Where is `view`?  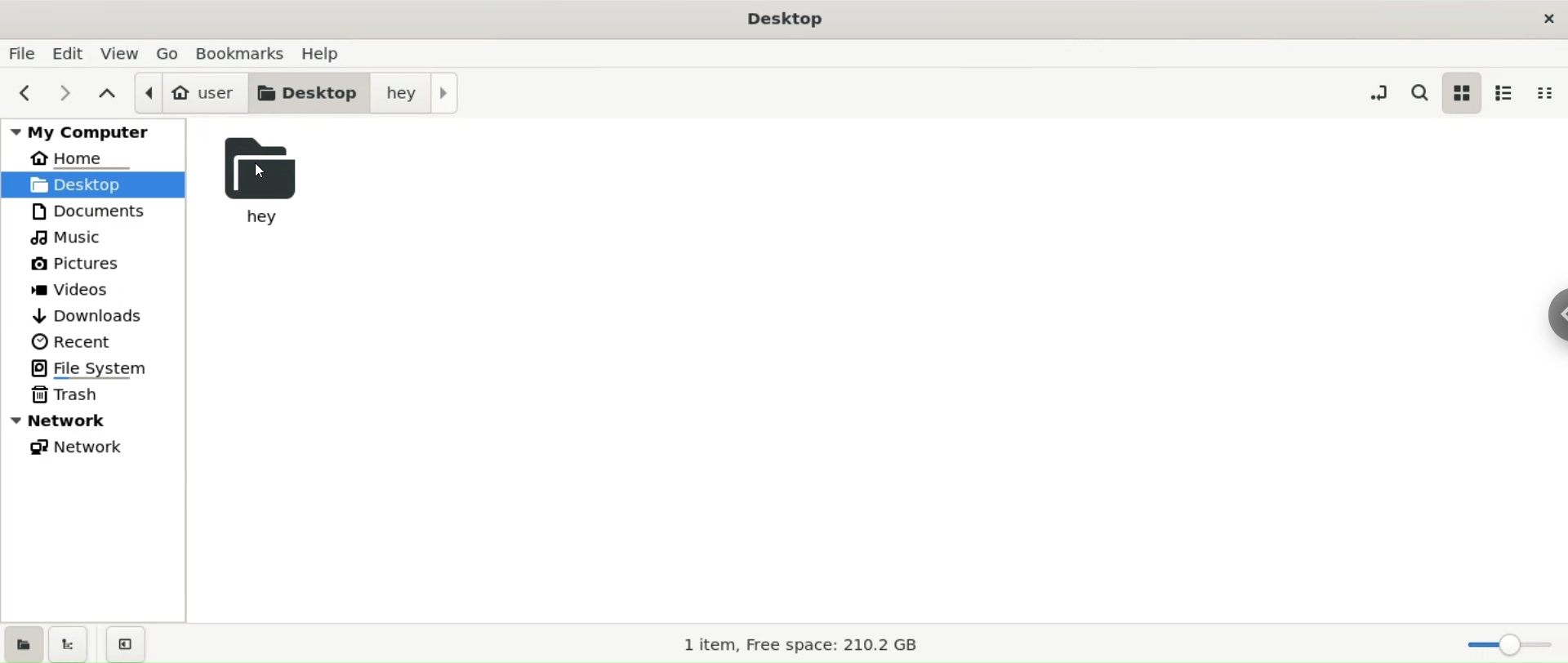
view is located at coordinates (121, 54).